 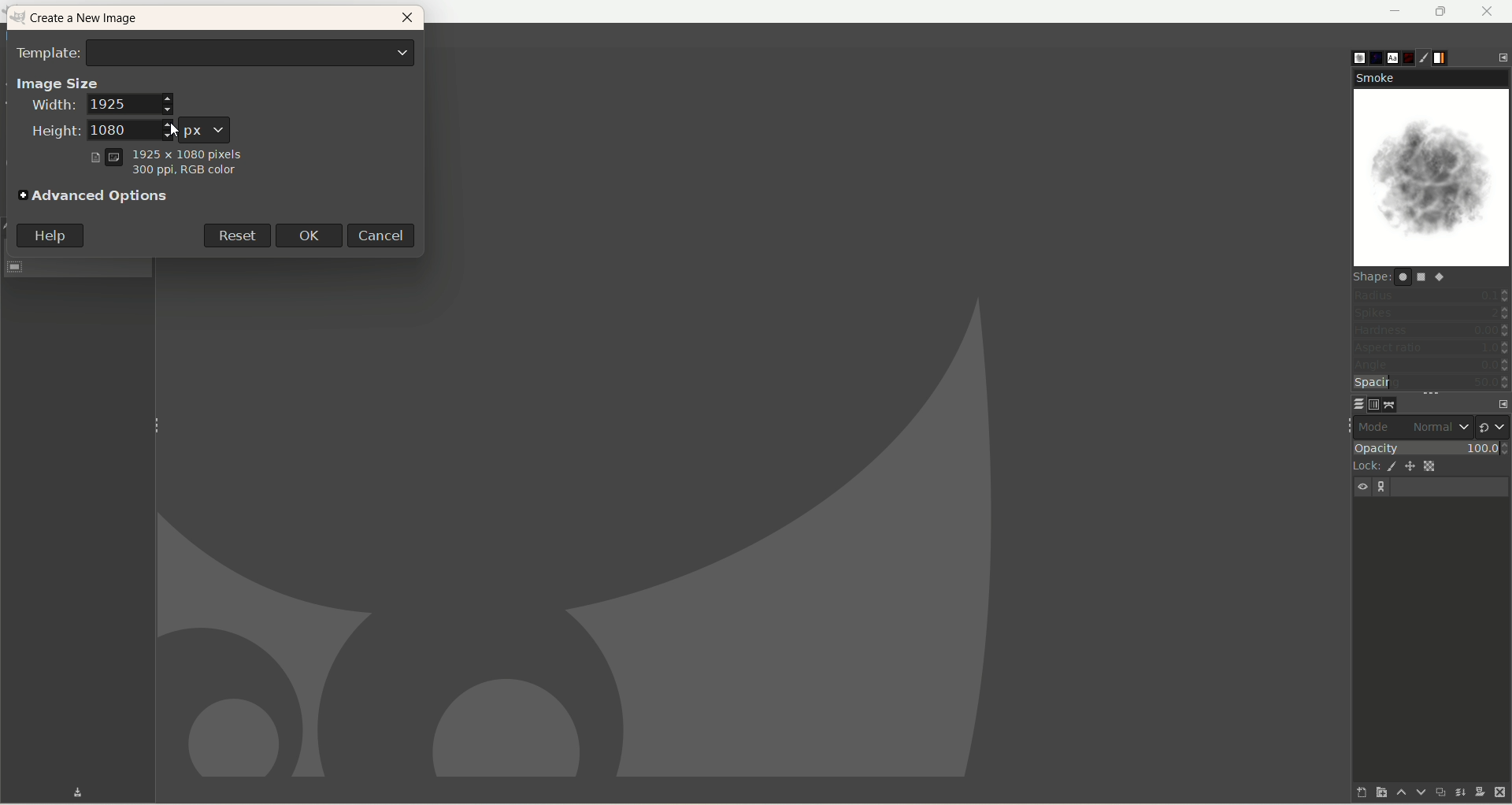 I want to click on delete this layer, so click(x=1501, y=793).